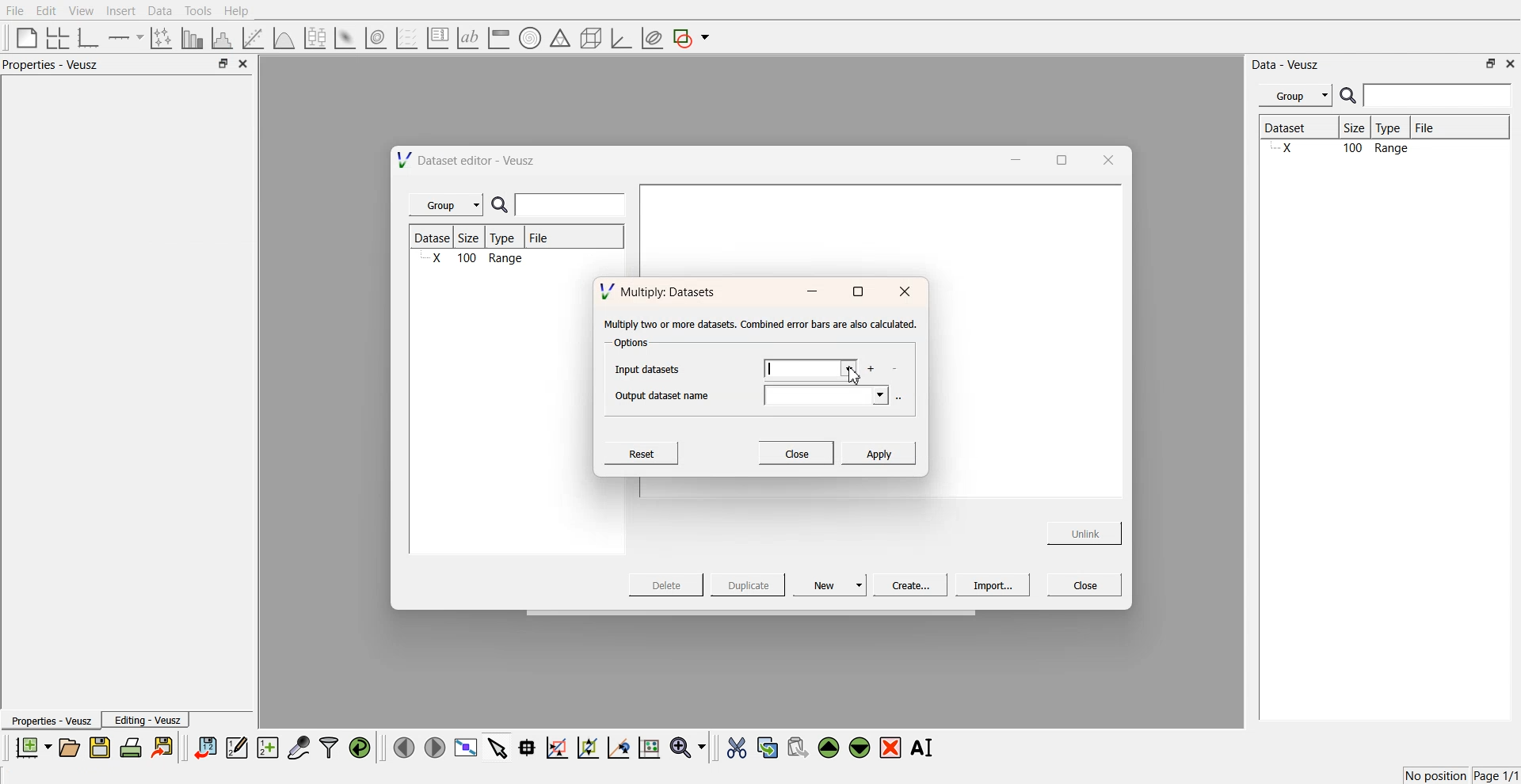 The image size is (1521, 784). I want to click on image color bar, so click(498, 39).